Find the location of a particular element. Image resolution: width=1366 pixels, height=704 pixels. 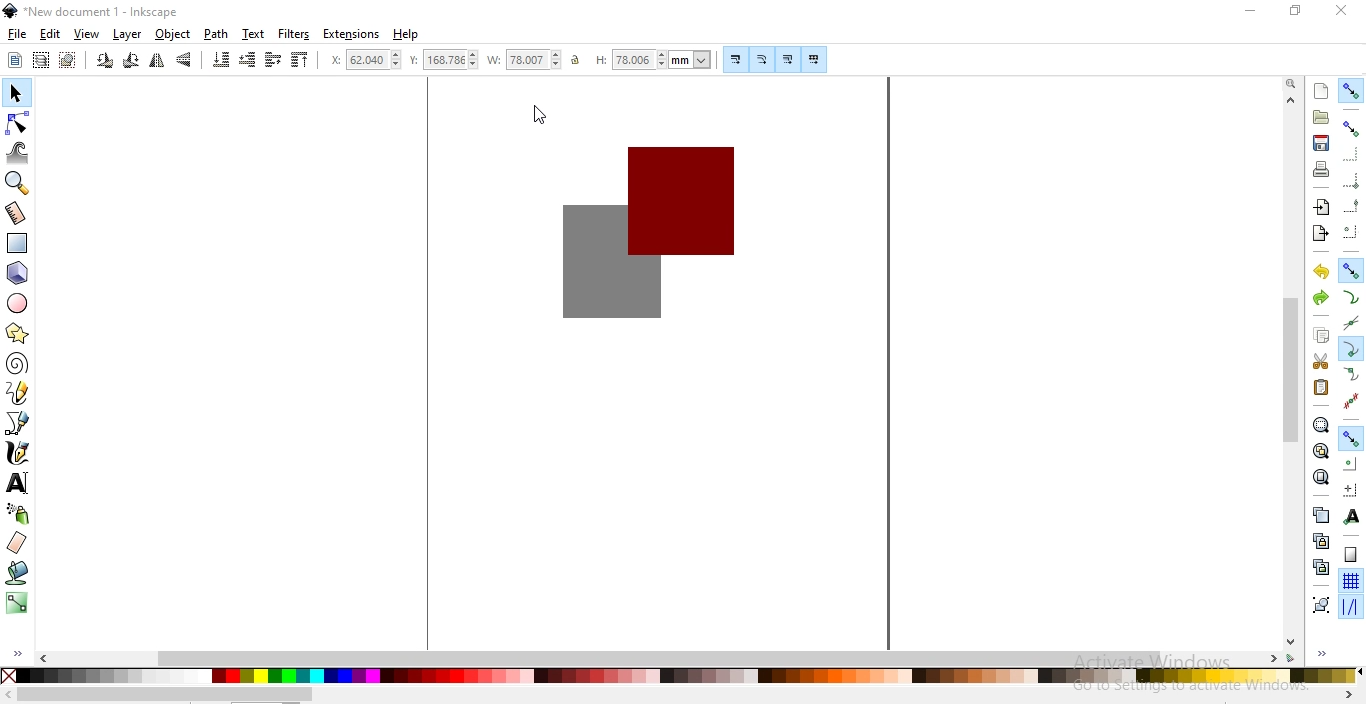

scrollbar is located at coordinates (662, 657).